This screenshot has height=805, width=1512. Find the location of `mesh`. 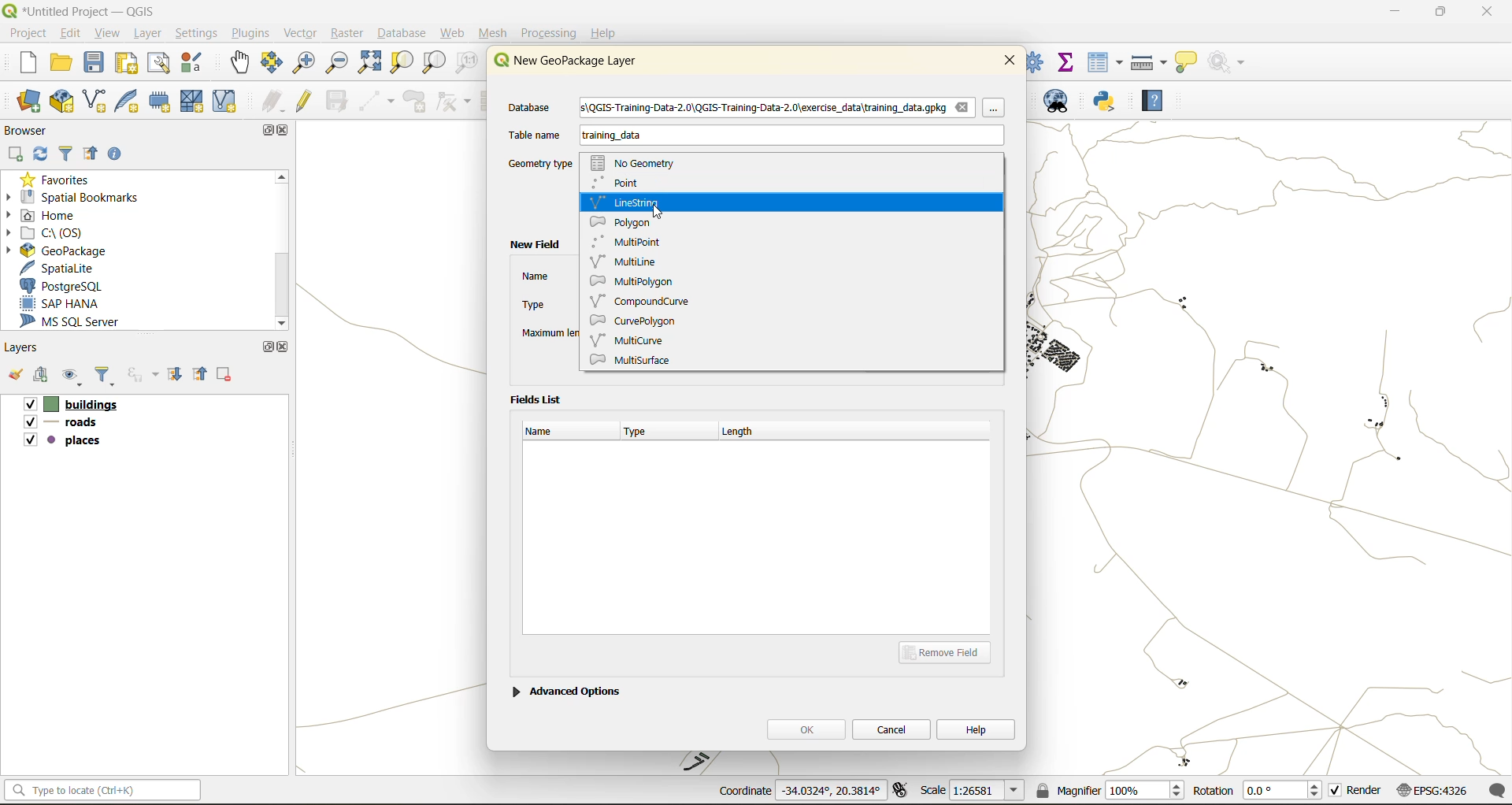

mesh is located at coordinates (495, 33).